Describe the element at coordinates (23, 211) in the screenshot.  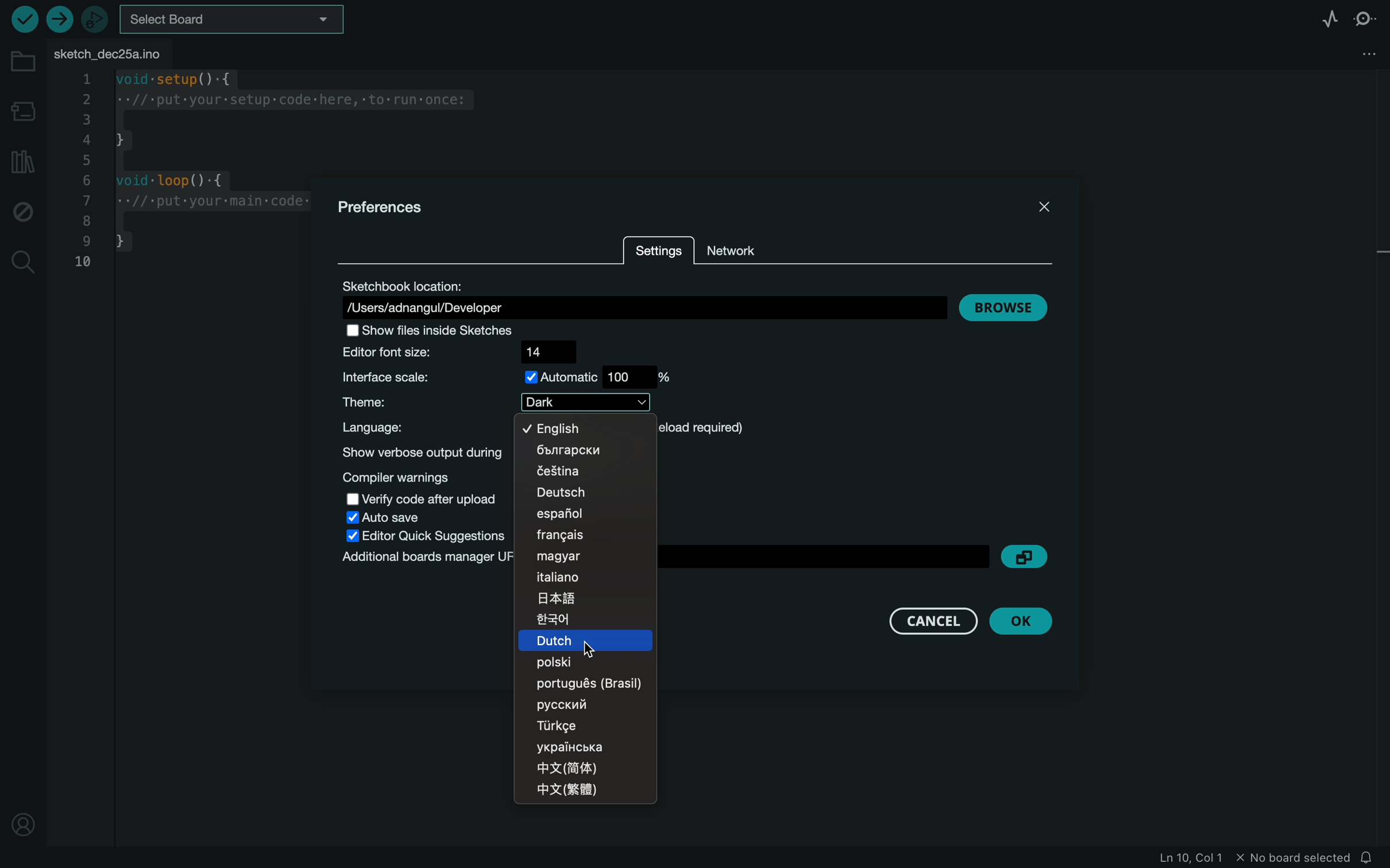
I see `debug` at that location.